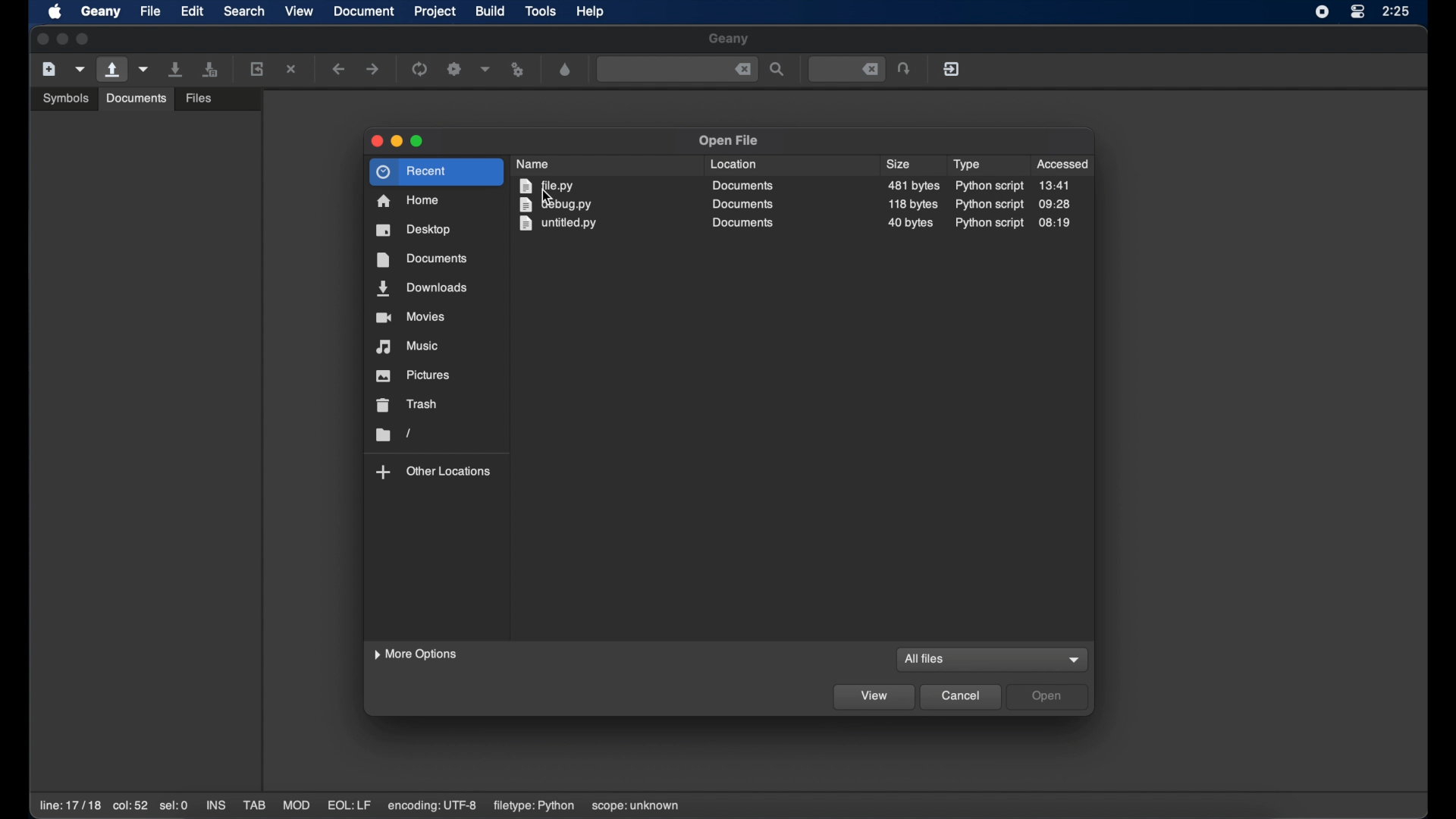 The image size is (1456, 819). Describe the element at coordinates (422, 260) in the screenshot. I see `documents` at that location.